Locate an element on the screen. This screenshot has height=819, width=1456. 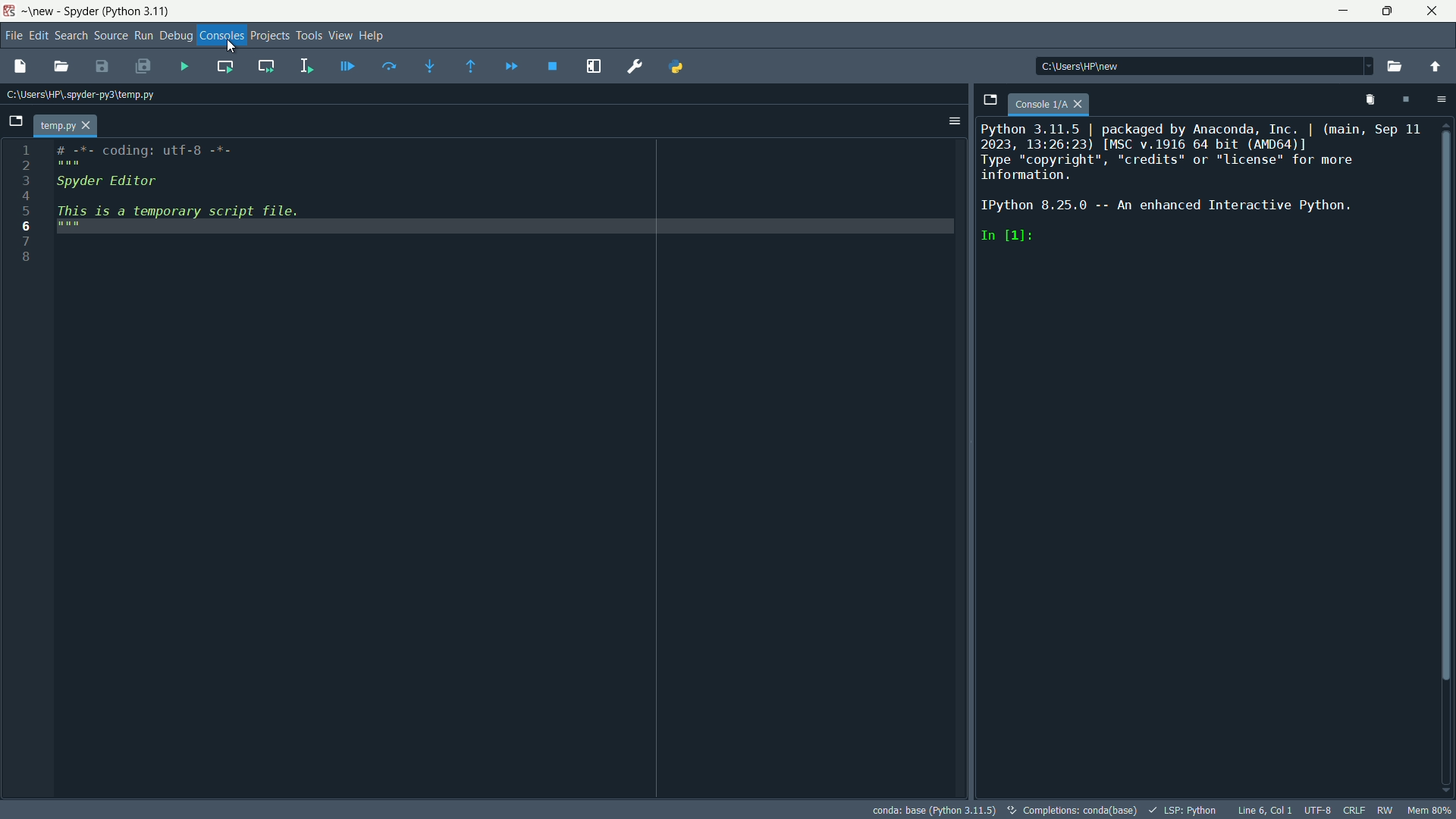
run selection or current line is located at coordinates (312, 65).